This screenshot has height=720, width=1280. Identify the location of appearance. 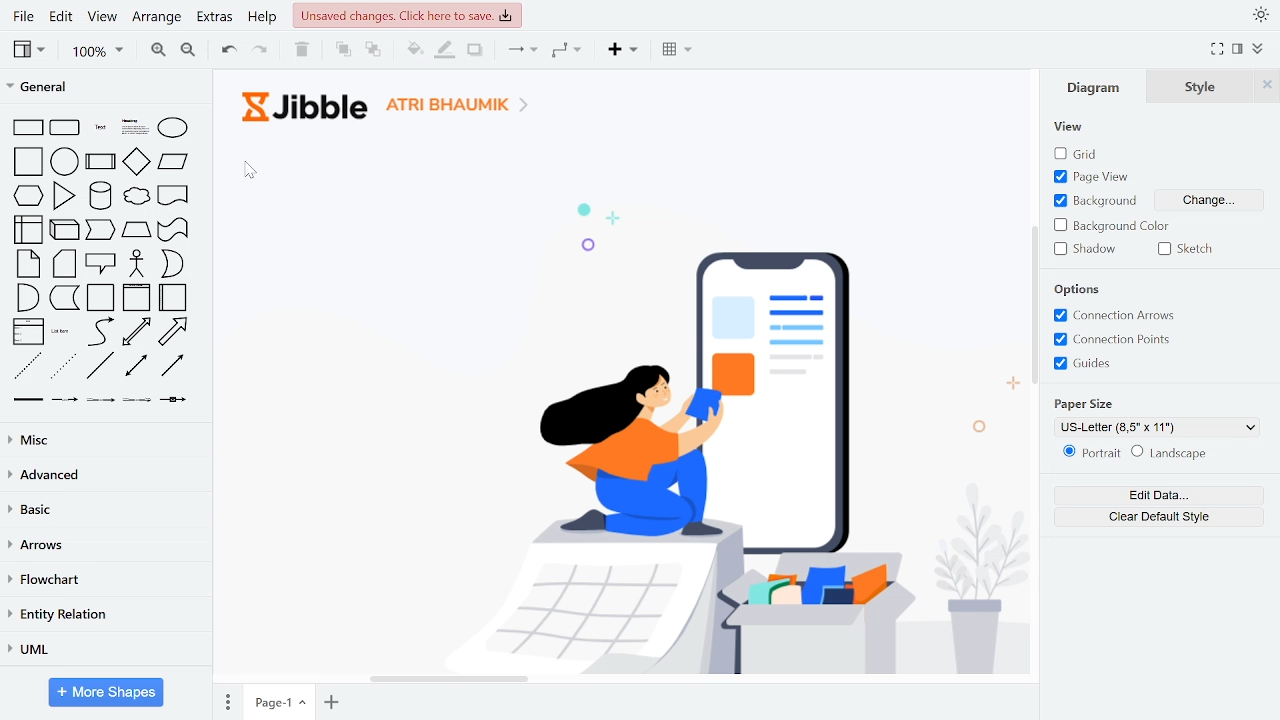
(1258, 15).